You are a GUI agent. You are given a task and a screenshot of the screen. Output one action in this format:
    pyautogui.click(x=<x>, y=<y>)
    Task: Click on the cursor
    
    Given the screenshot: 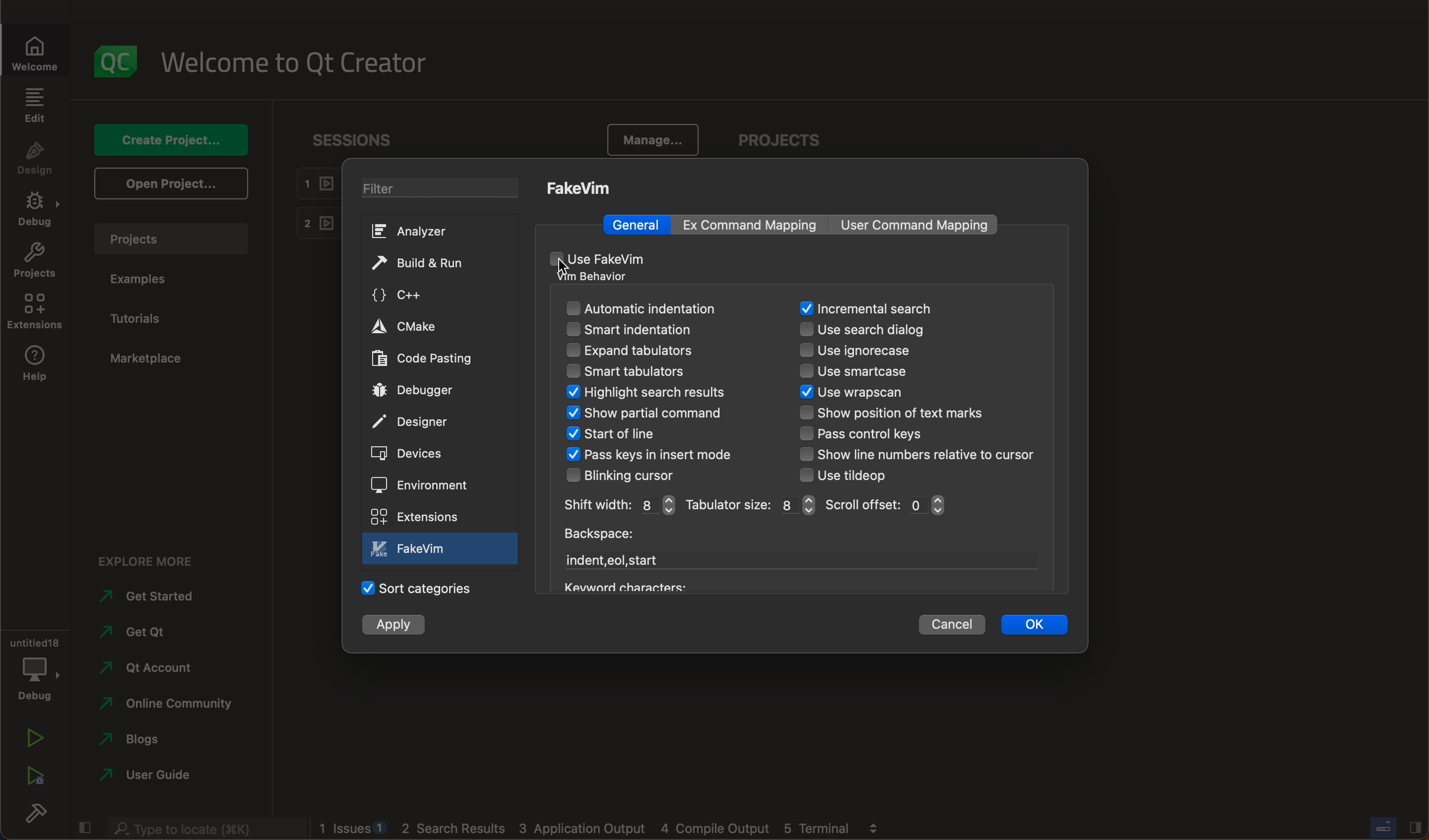 What is the action you would take?
    pyautogui.click(x=563, y=265)
    